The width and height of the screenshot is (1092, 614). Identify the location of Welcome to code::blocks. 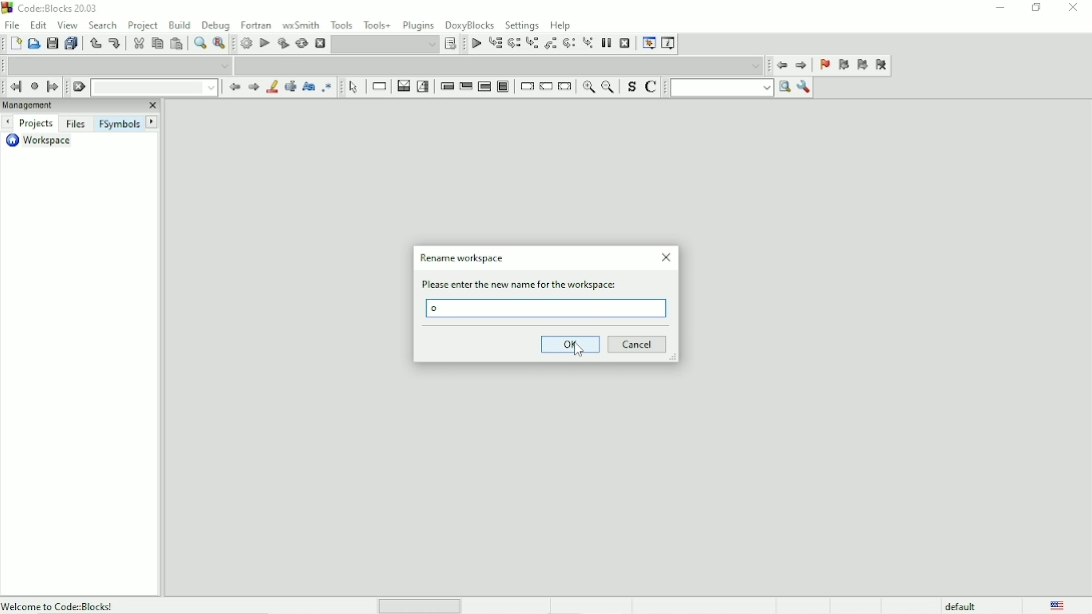
(61, 604).